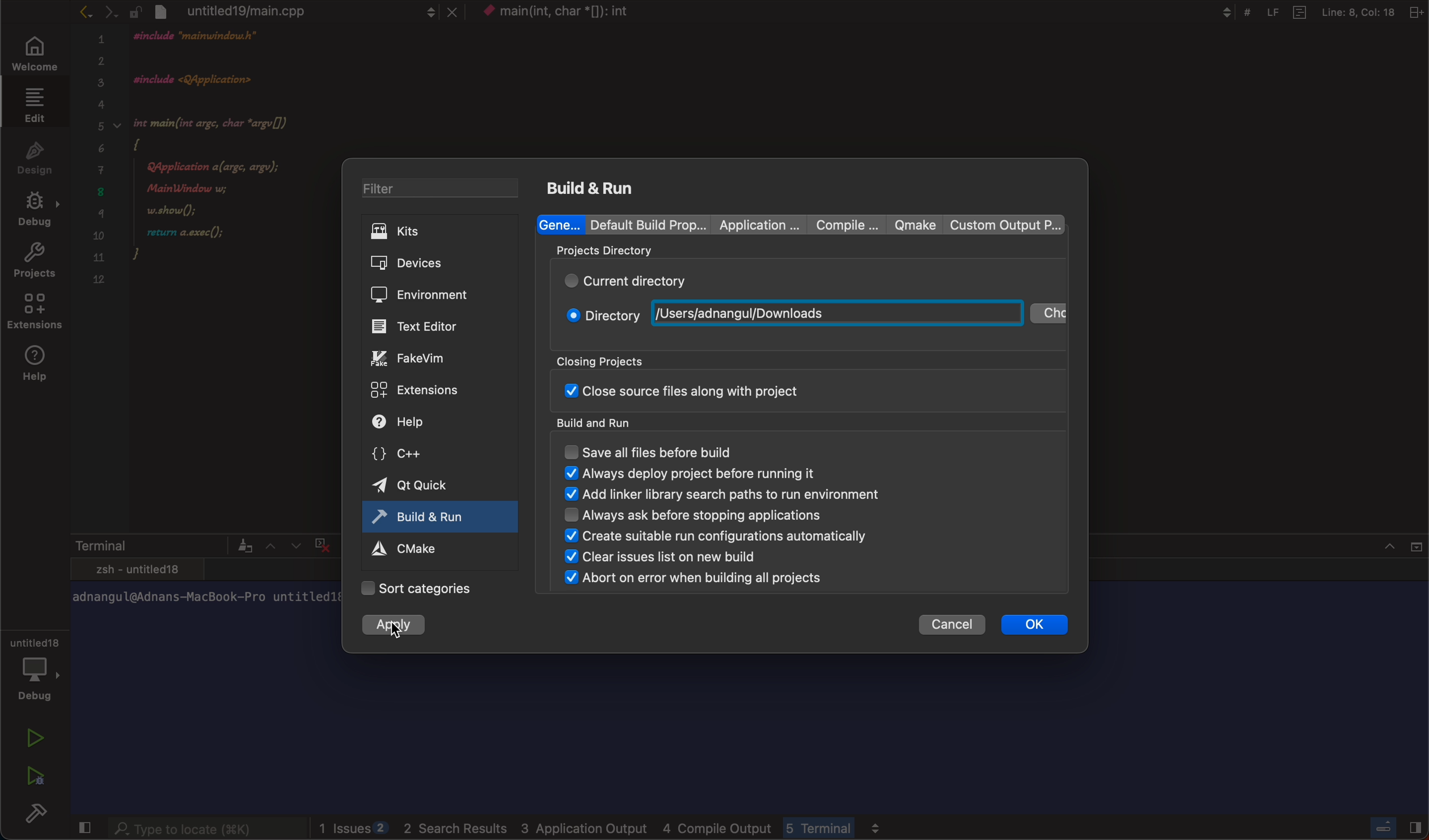 The width and height of the screenshot is (1429, 840). What do you see at coordinates (33, 773) in the screenshot?
I see `run debug` at bounding box center [33, 773].